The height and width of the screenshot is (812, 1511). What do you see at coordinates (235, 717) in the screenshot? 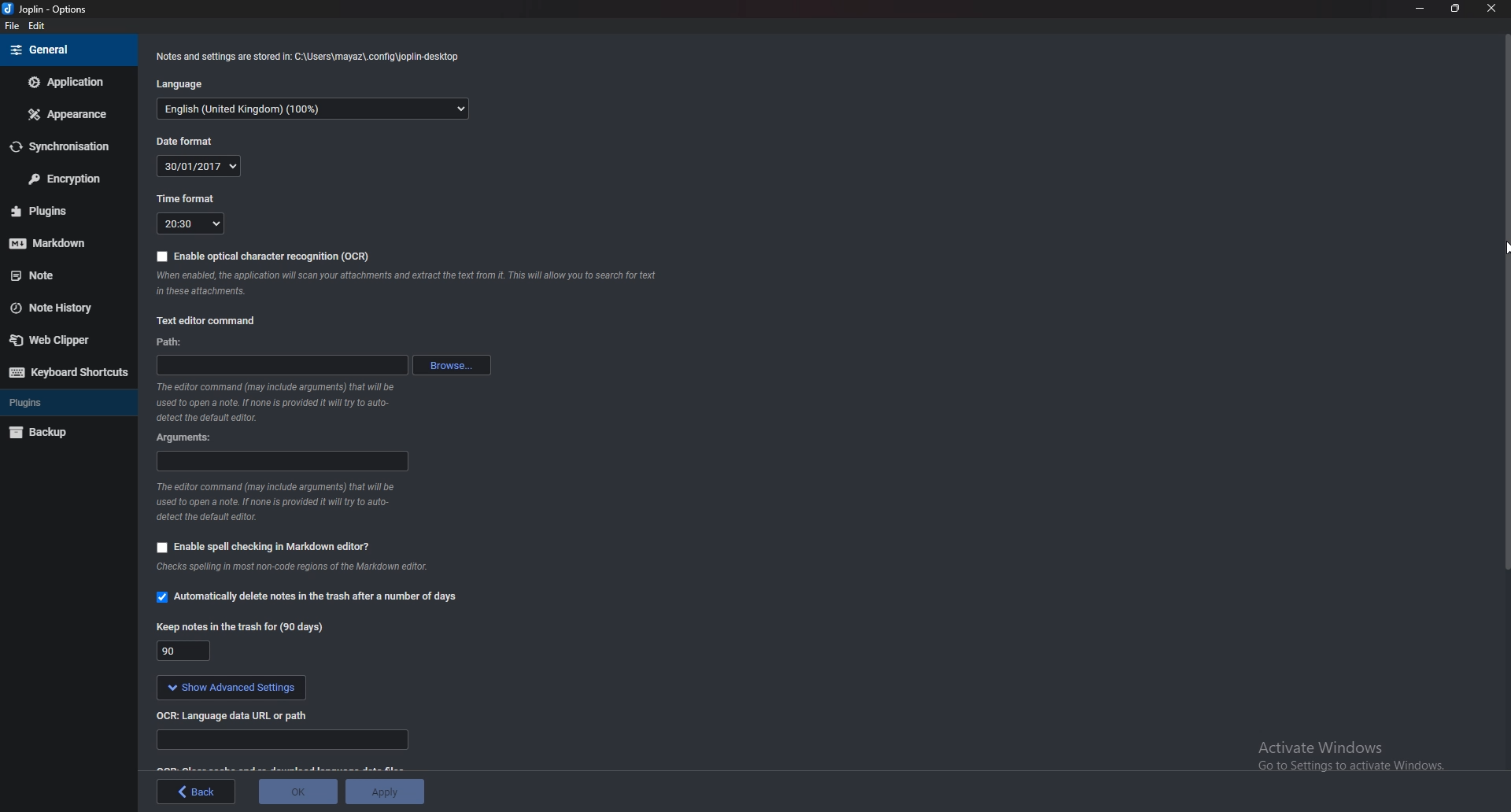
I see `ocr Language data url or path` at bounding box center [235, 717].